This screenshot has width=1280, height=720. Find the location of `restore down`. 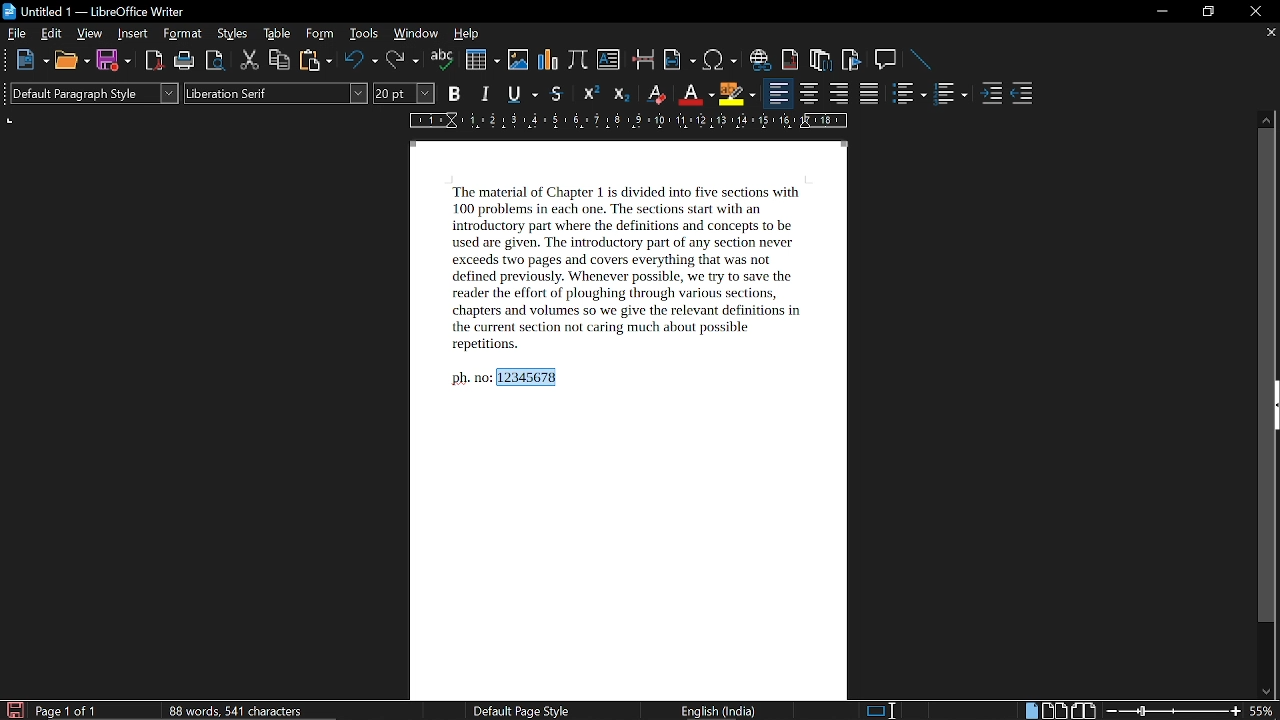

restore down is located at coordinates (1207, 12).